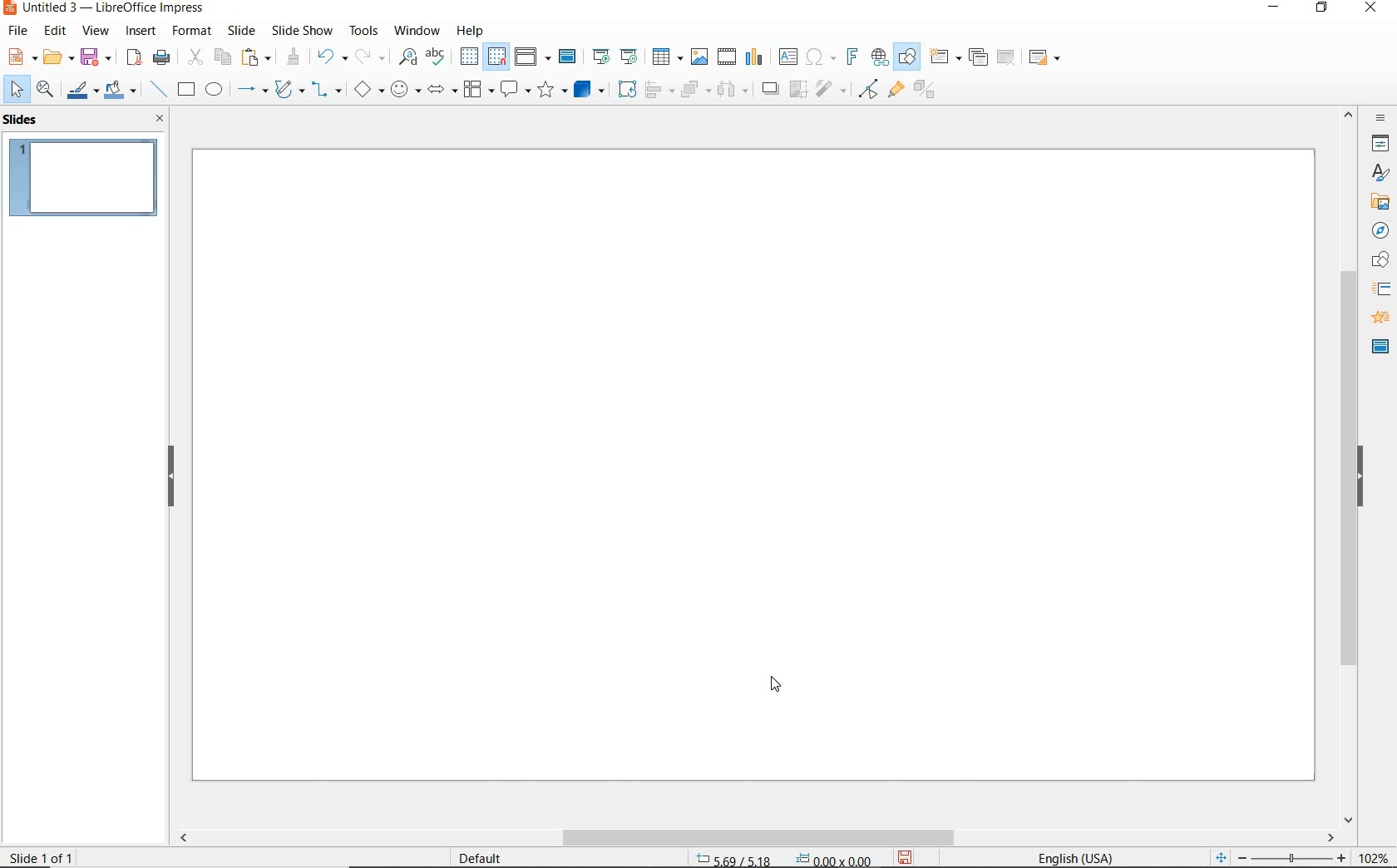 This screenshot has width=1397, height=868. Describe the element at coordinates (533, 57) in the screenshot. I see `DISPLAY VIEWS` at that location.